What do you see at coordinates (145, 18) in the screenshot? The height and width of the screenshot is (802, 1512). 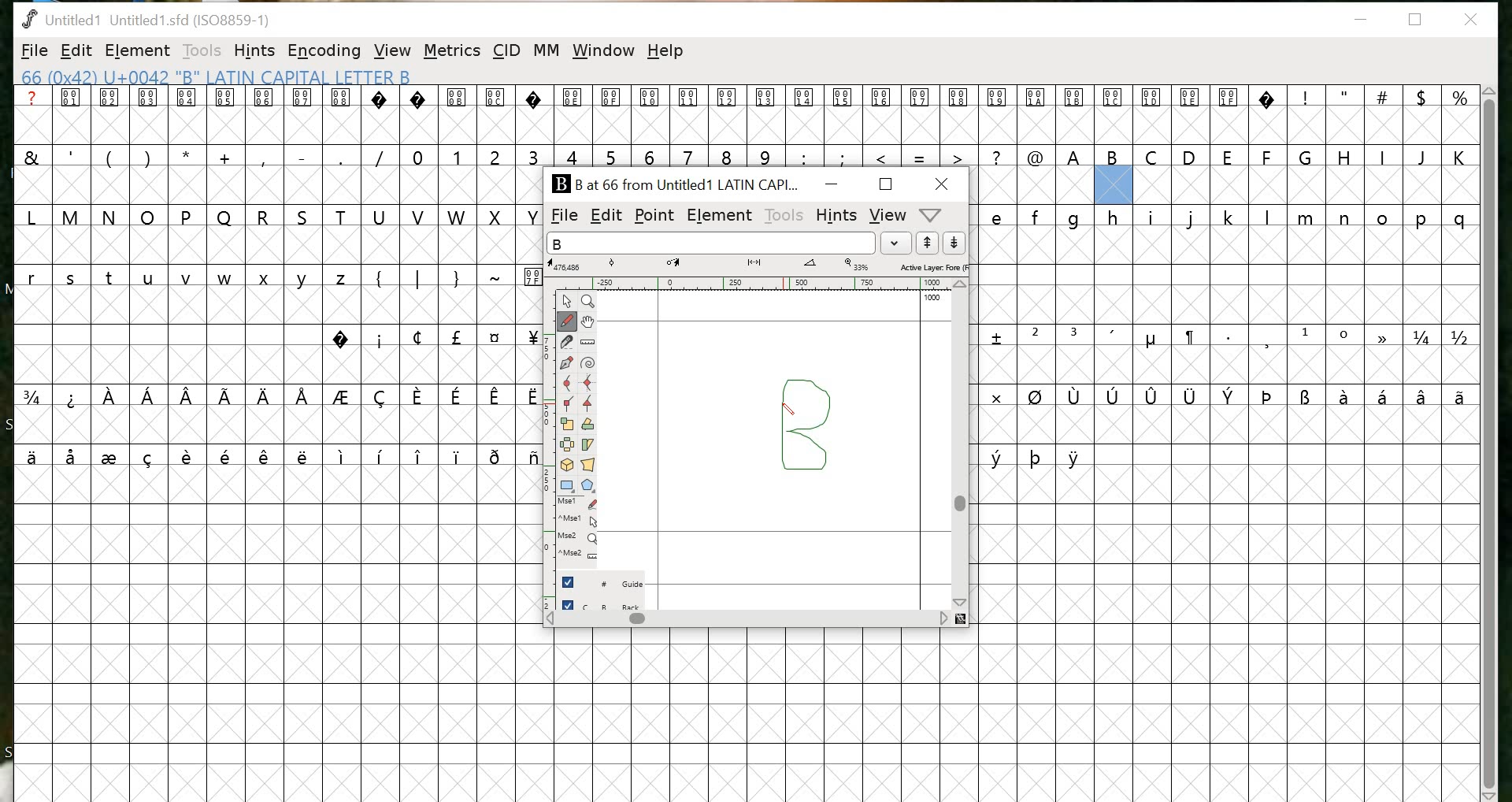 I see `Untitled1 Untitled 1.sfd (1IS08859-1)` at bounding box center [145, 18].